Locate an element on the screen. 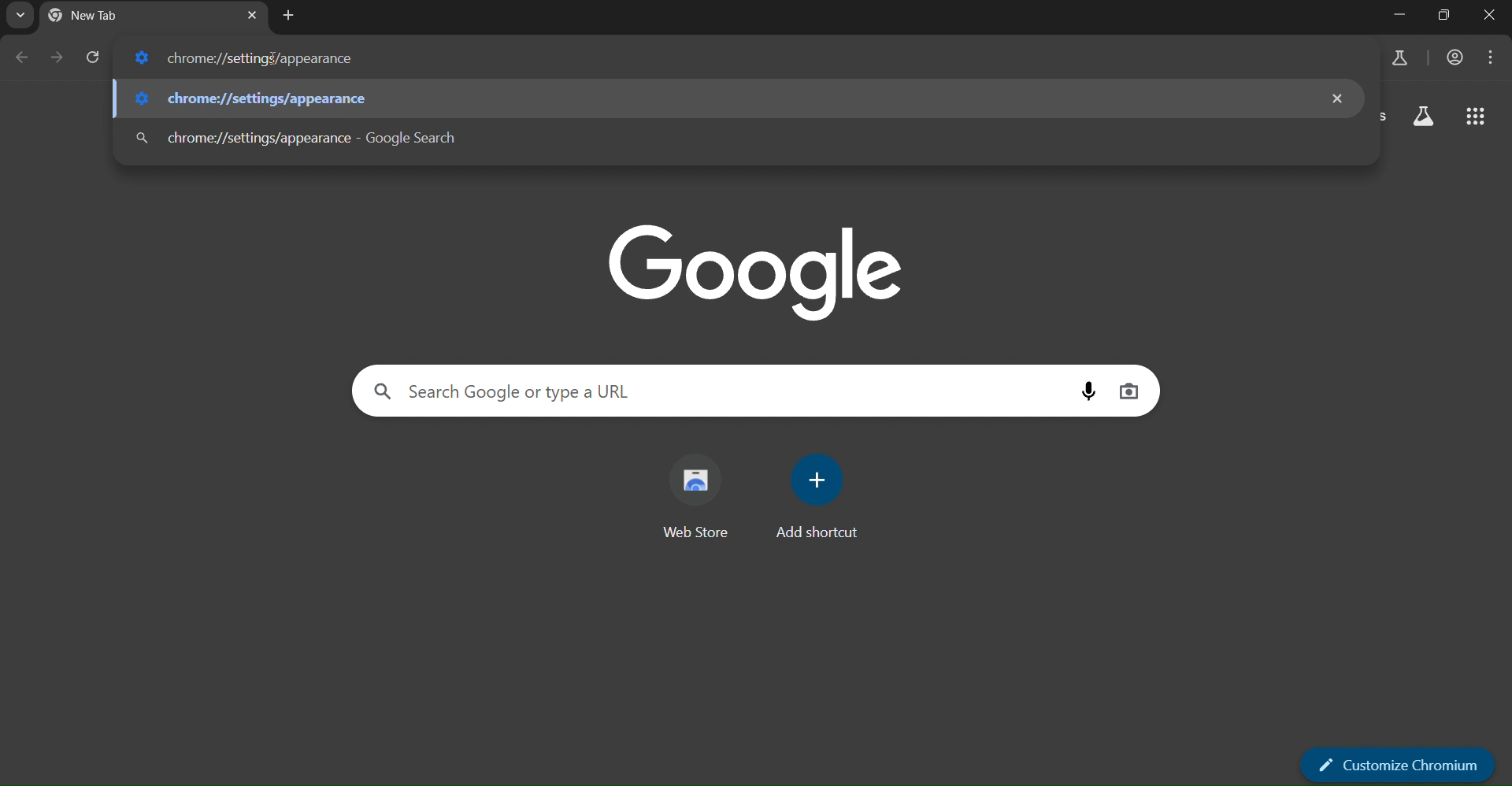 The width and height of the screenshot is (1512, 786). google apps is located at coordinates (1477, 117).